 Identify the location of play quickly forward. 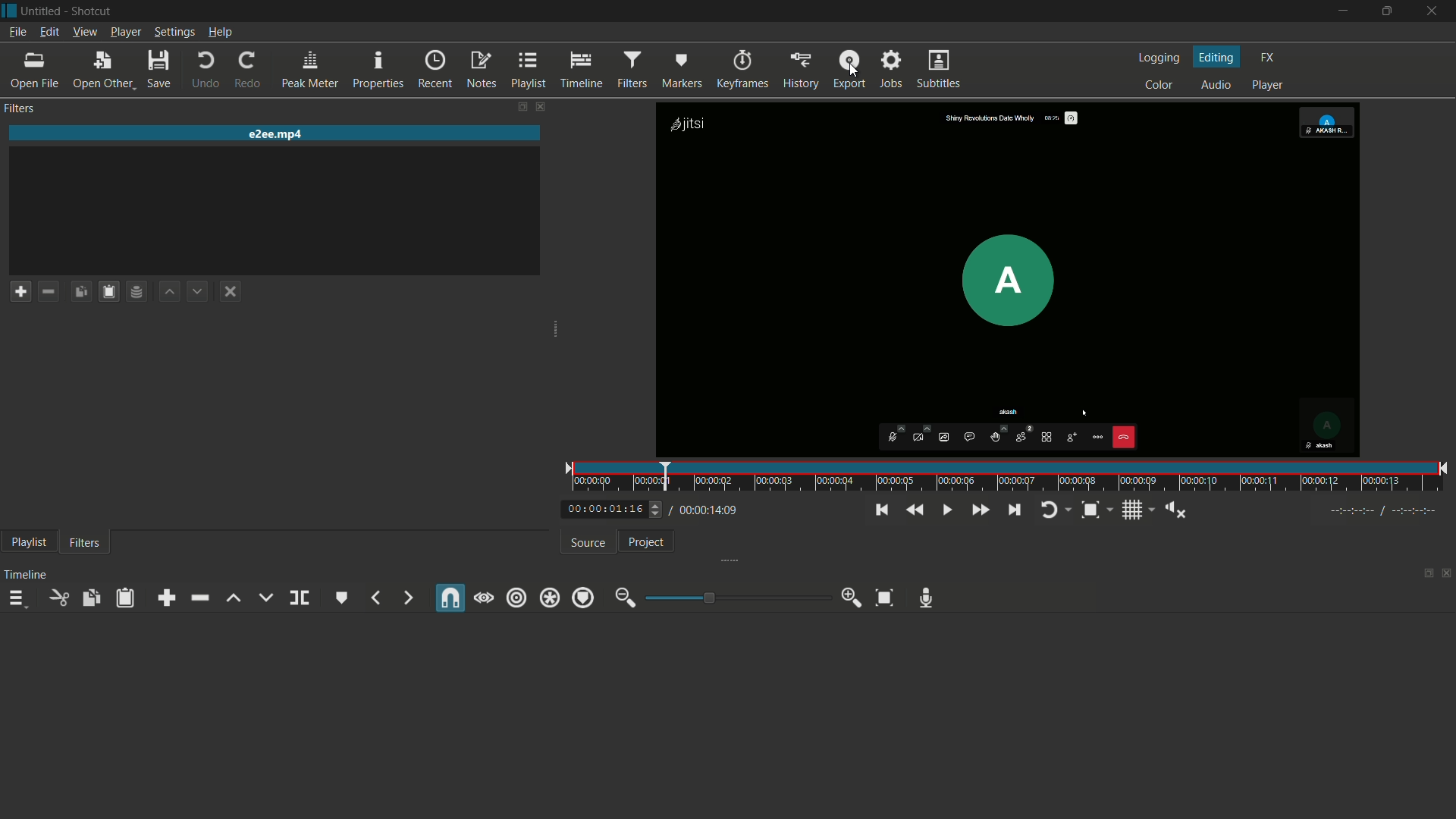
(979, 510).